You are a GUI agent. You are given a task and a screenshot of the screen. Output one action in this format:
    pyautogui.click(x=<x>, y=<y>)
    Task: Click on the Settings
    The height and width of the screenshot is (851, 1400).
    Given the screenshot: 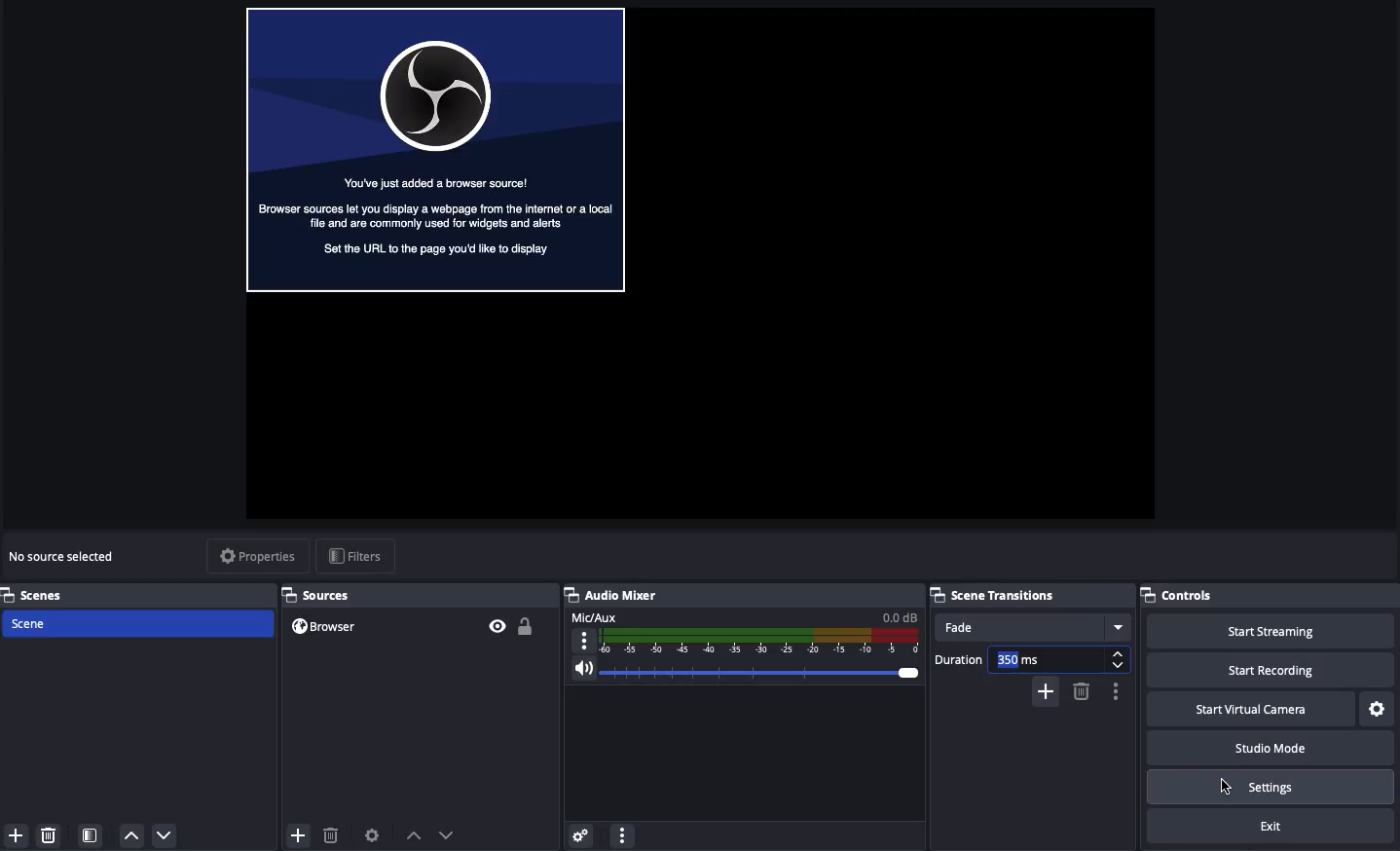 What is the action you would take?
    pyautogui.click(x=1378, y=710)
    